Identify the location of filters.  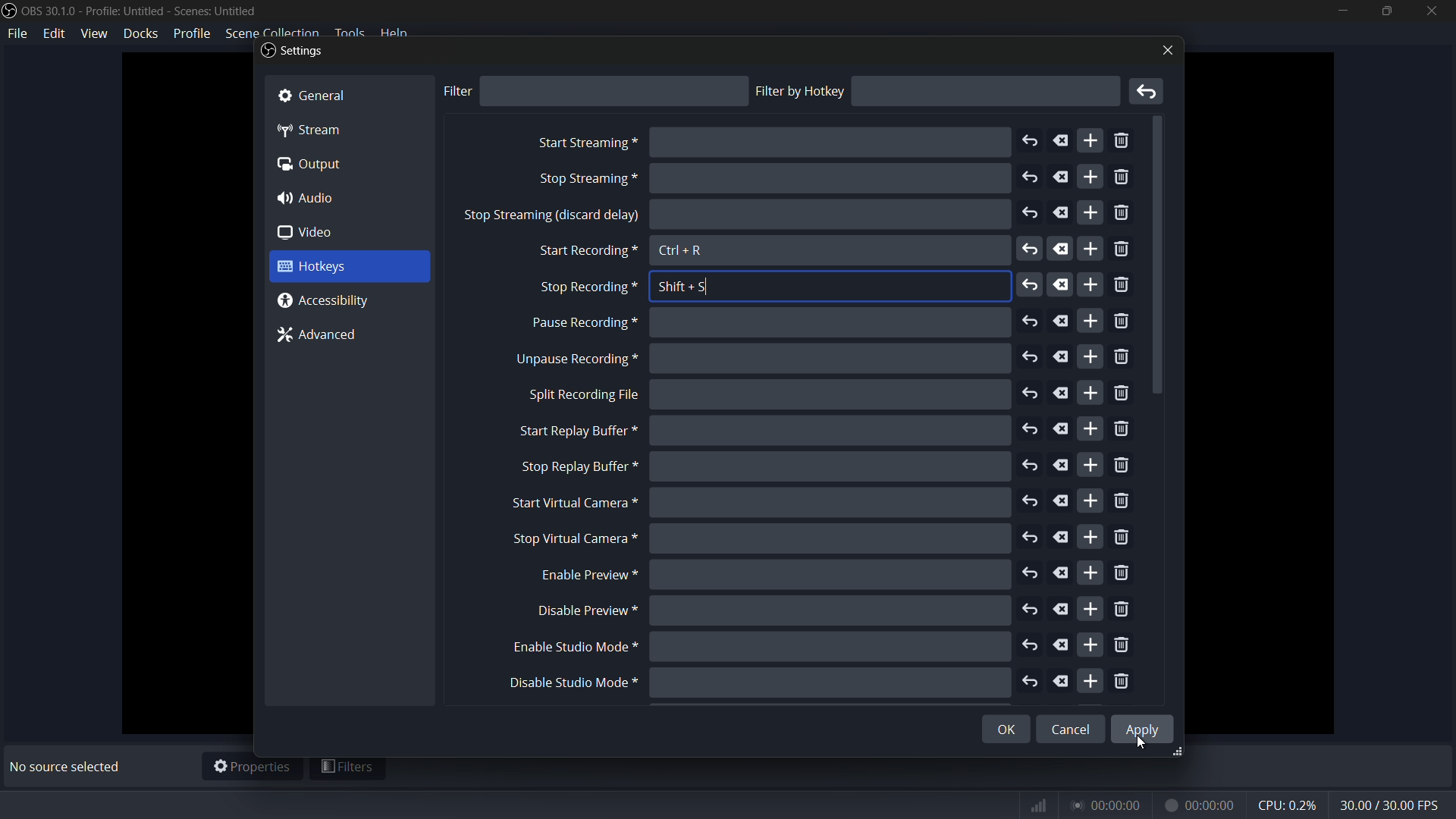
(348, 769).